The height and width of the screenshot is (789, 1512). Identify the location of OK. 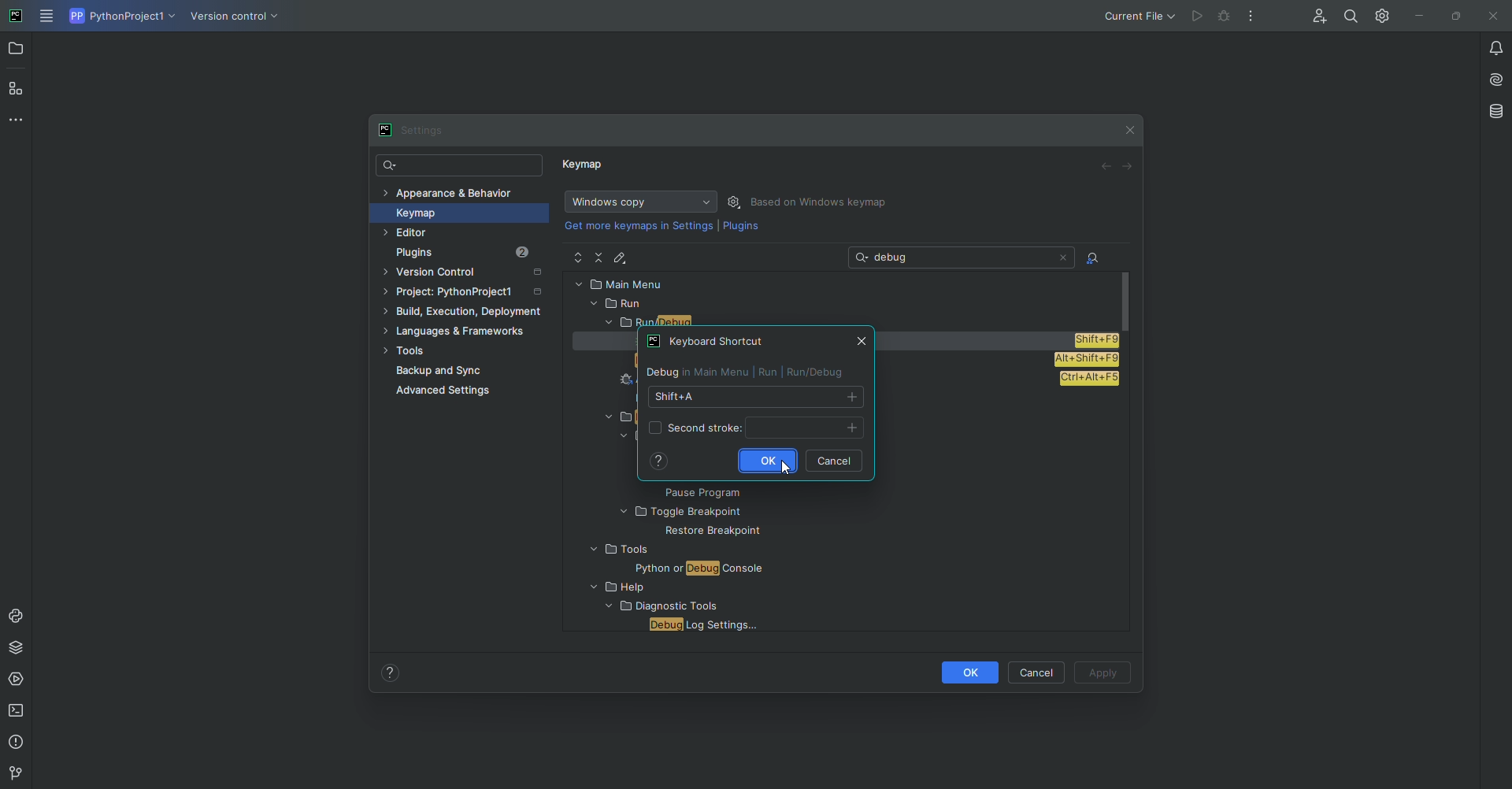
(968, 672).